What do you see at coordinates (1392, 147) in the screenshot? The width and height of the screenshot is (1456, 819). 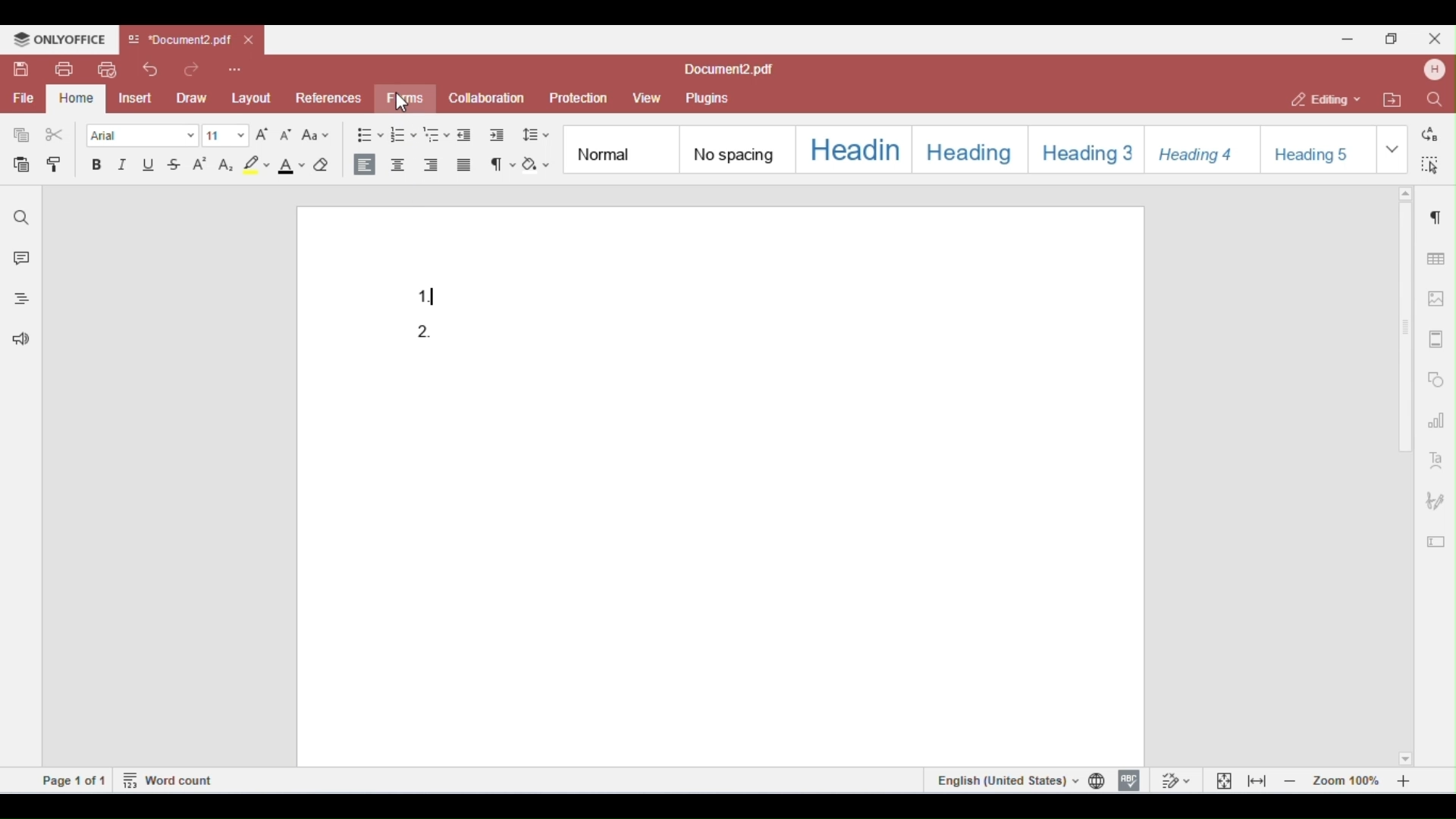 I see `drop down` at bounding box center [1392, 147].